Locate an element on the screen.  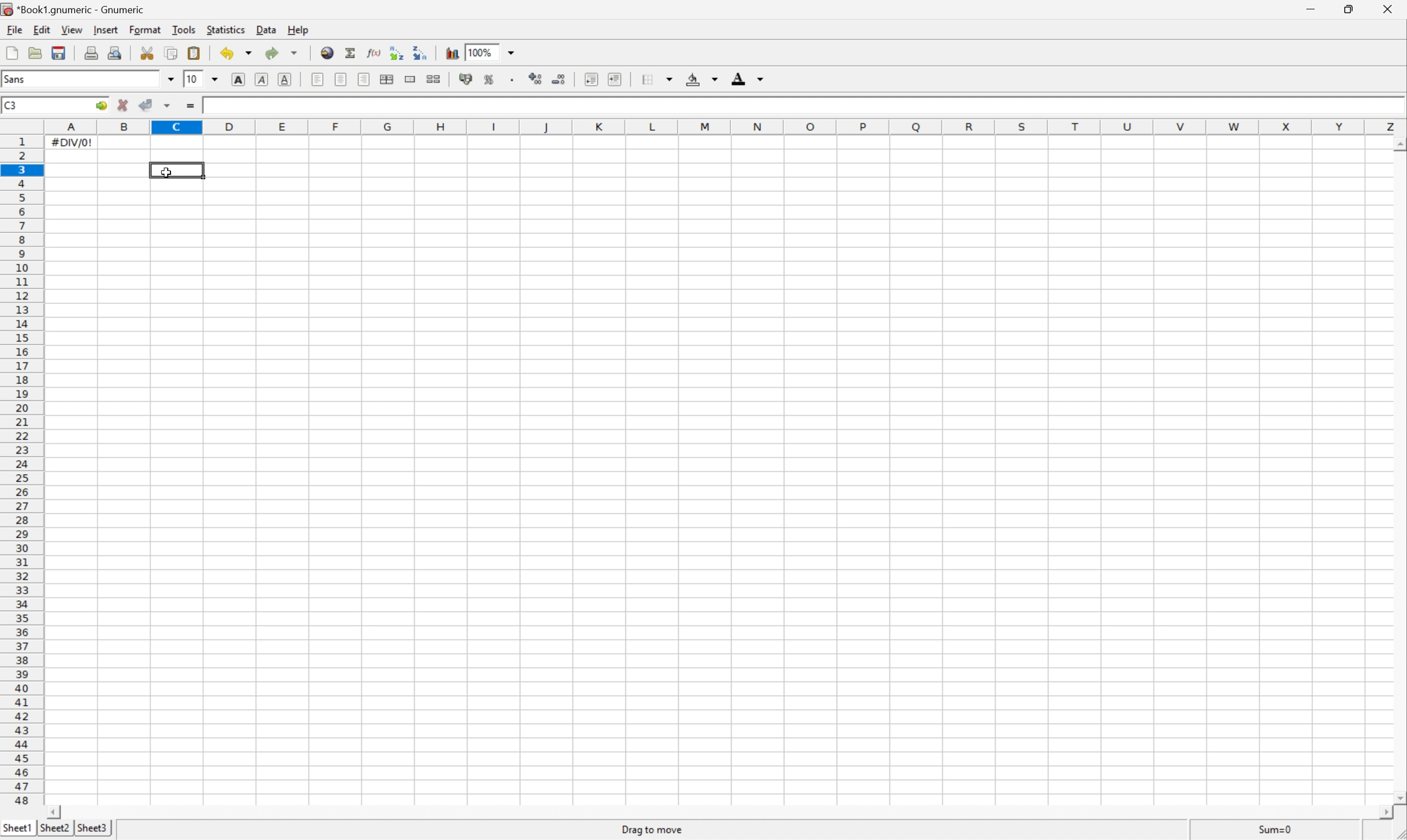
Bold is located at coordinates (238, 79).